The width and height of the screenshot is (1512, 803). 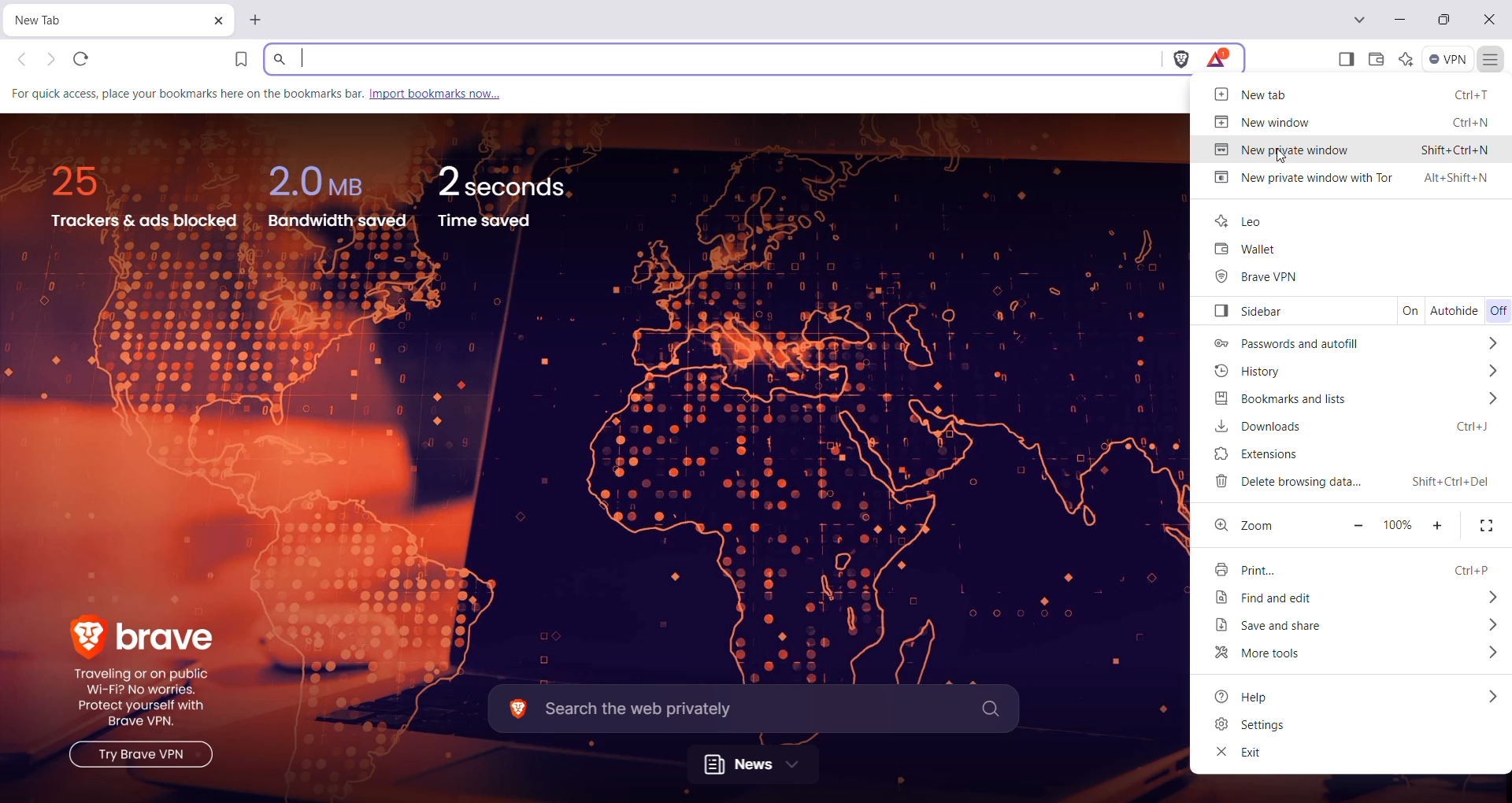 What do you see at coordinates (1356, 527) in the screenshot?
I see `Make Text smaller` at bounding box center [1356, 527].